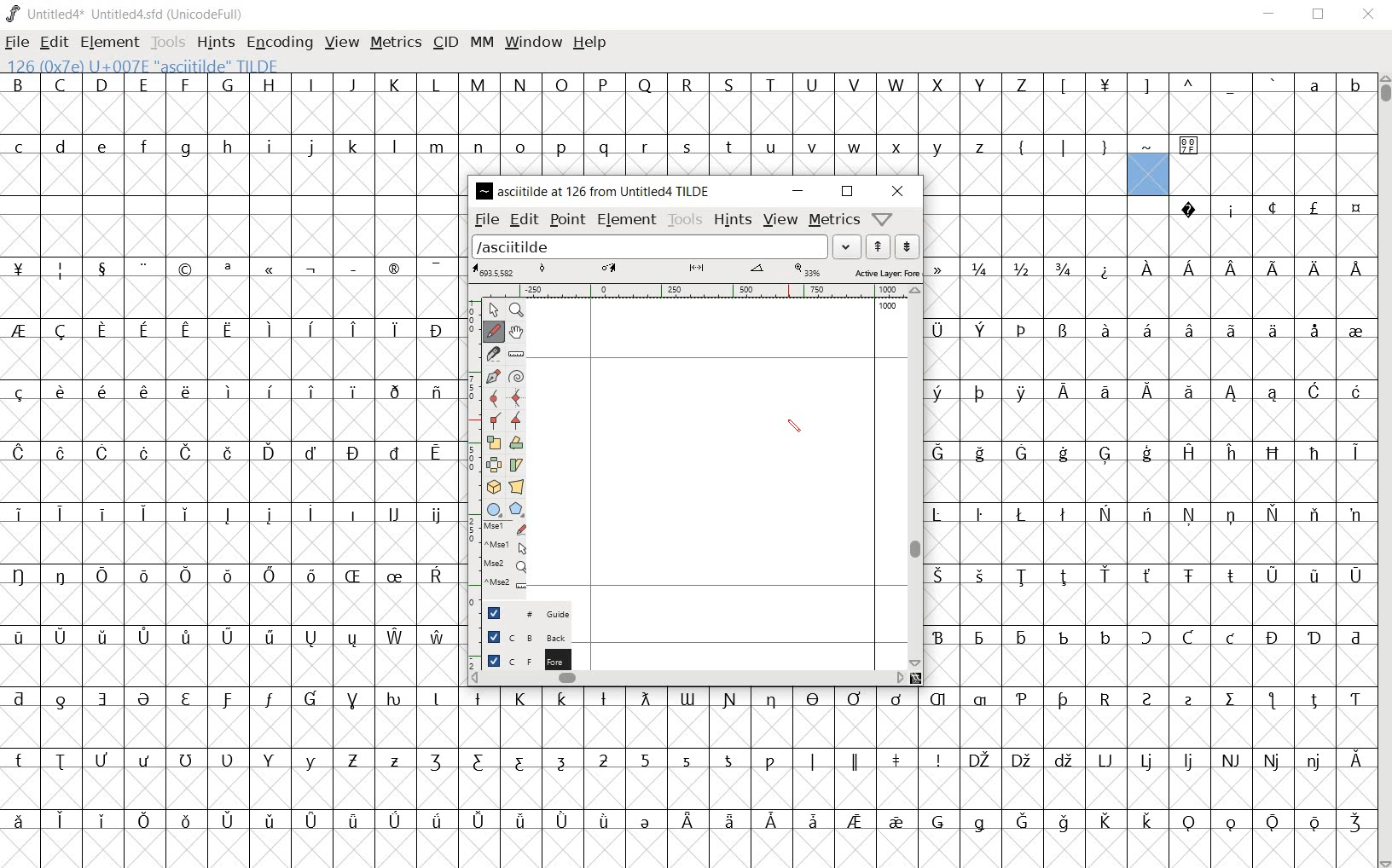  What do you see at coordinates (730, 222) in the screenshot?
I see `hints` at bounding box center [730, 222].